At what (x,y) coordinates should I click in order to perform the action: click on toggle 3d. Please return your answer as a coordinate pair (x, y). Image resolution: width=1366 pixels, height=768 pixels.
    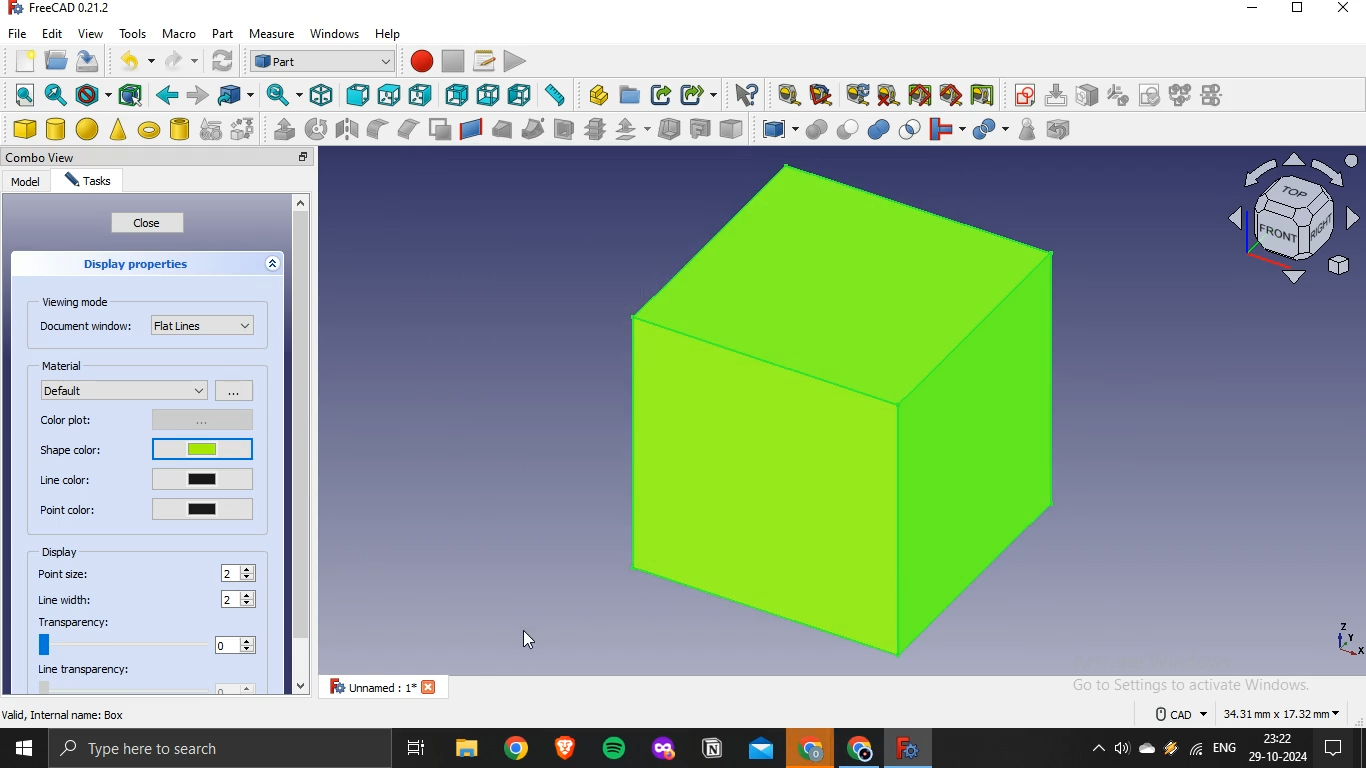
    Looking at the image, I should click on (951, 95).